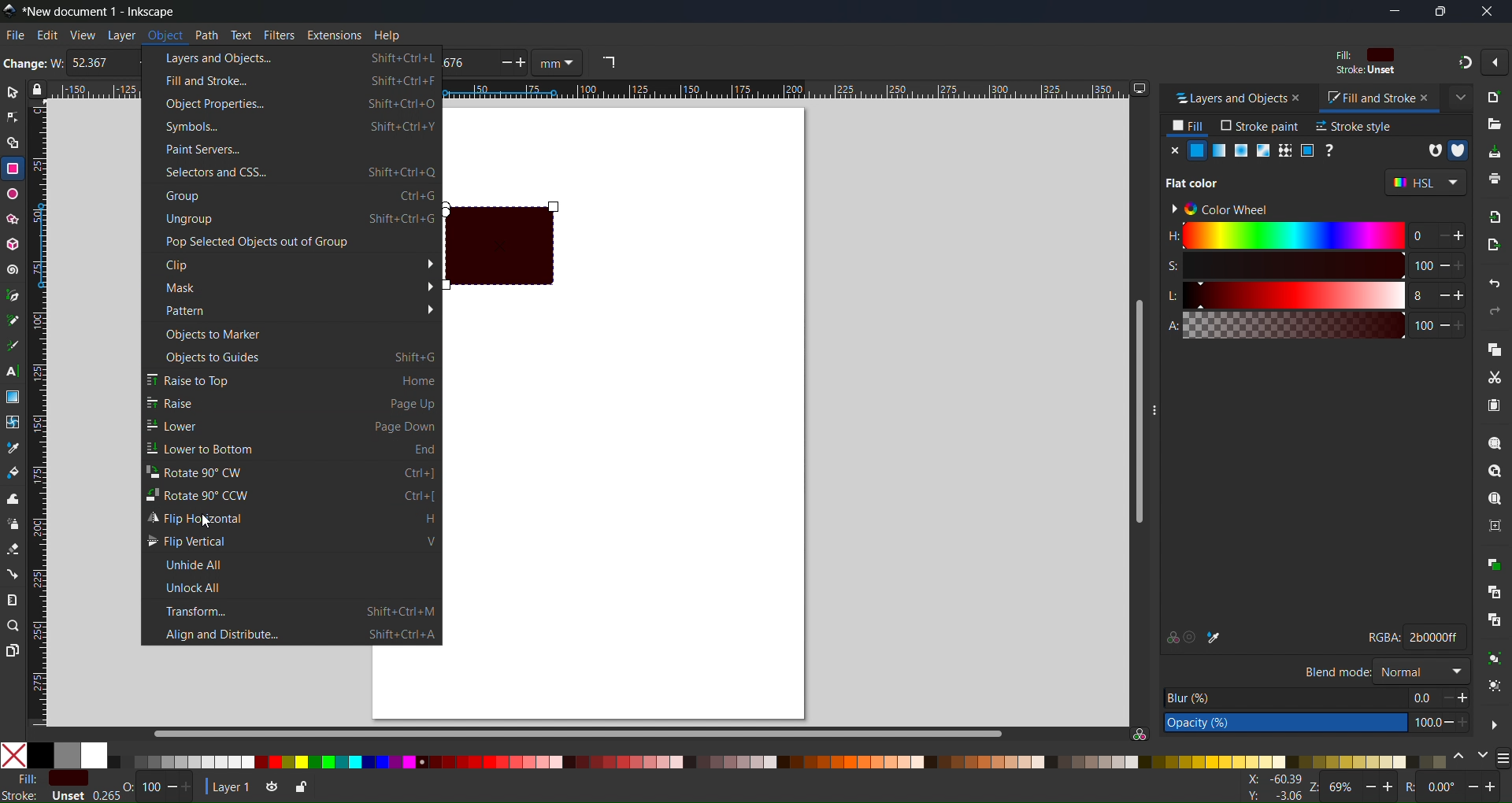  Describe the element at coordinates (779, 761) in the screenshot. I see `Color layer` at that location.